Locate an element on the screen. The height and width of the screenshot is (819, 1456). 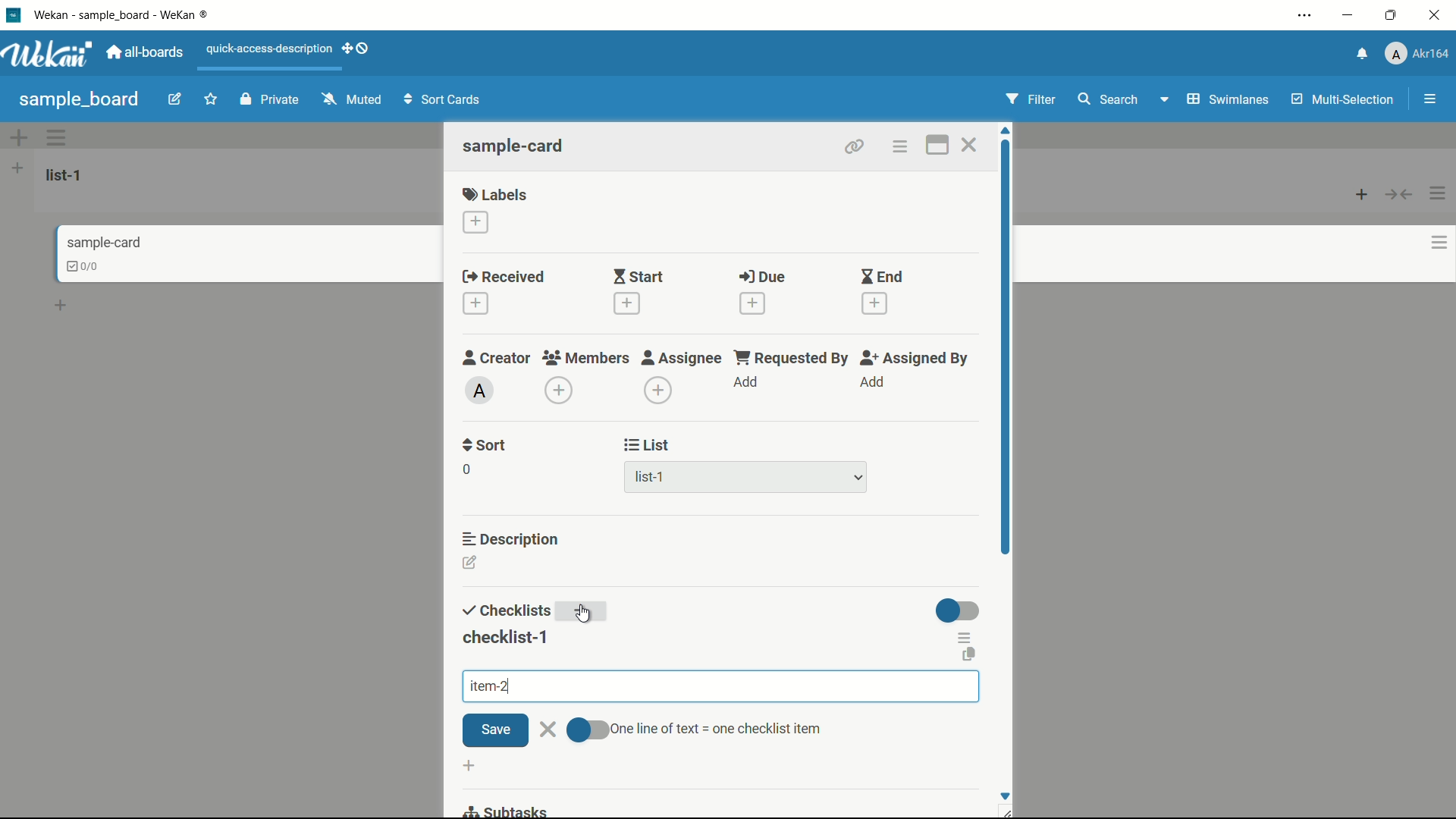
profile is located at coordinates (1417, 55).